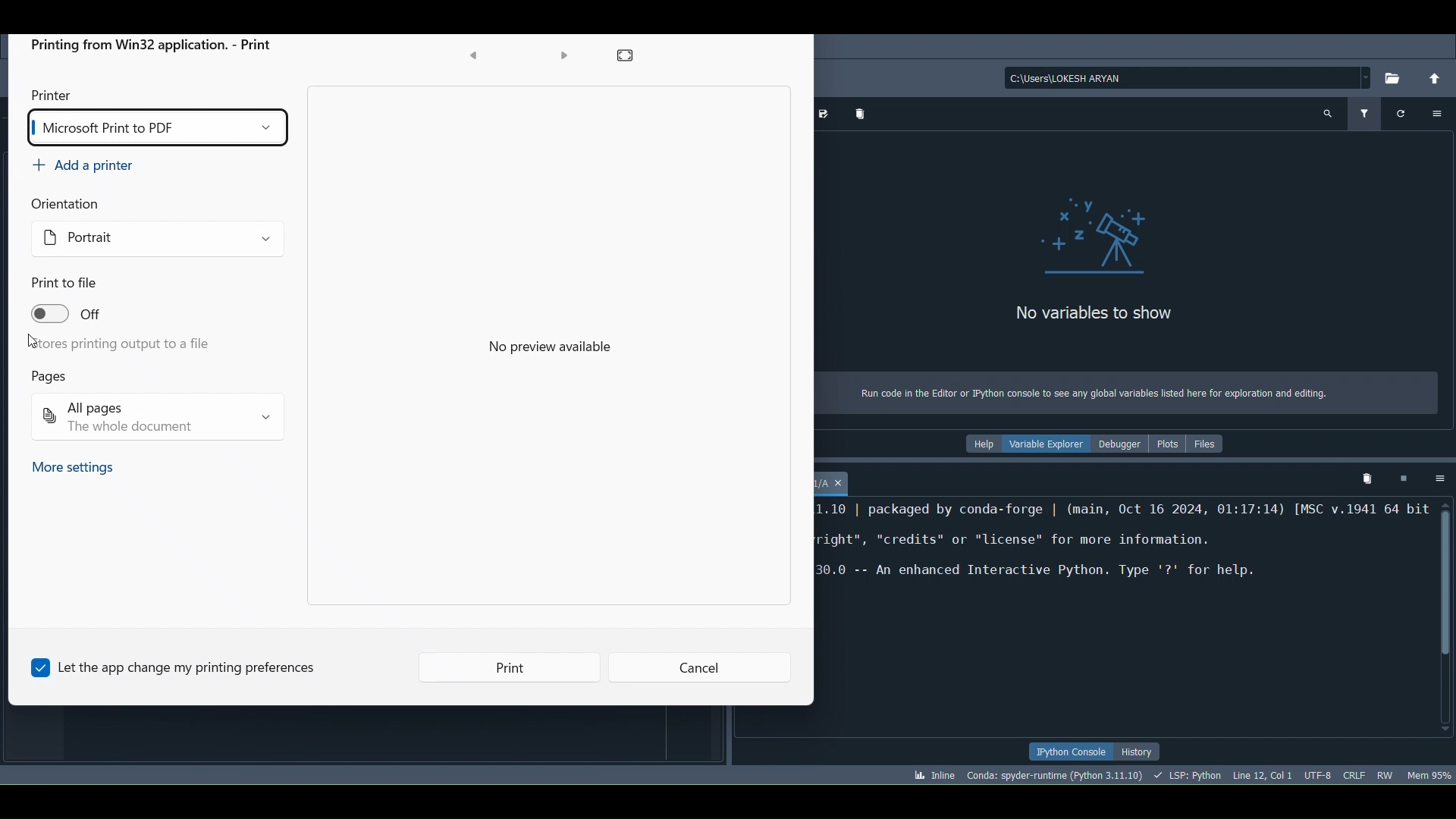 This screenshot has height=819, width=1456. Describe the element at coordinates (1384, 772) in the screenshot. I see `File permissions` at that location.